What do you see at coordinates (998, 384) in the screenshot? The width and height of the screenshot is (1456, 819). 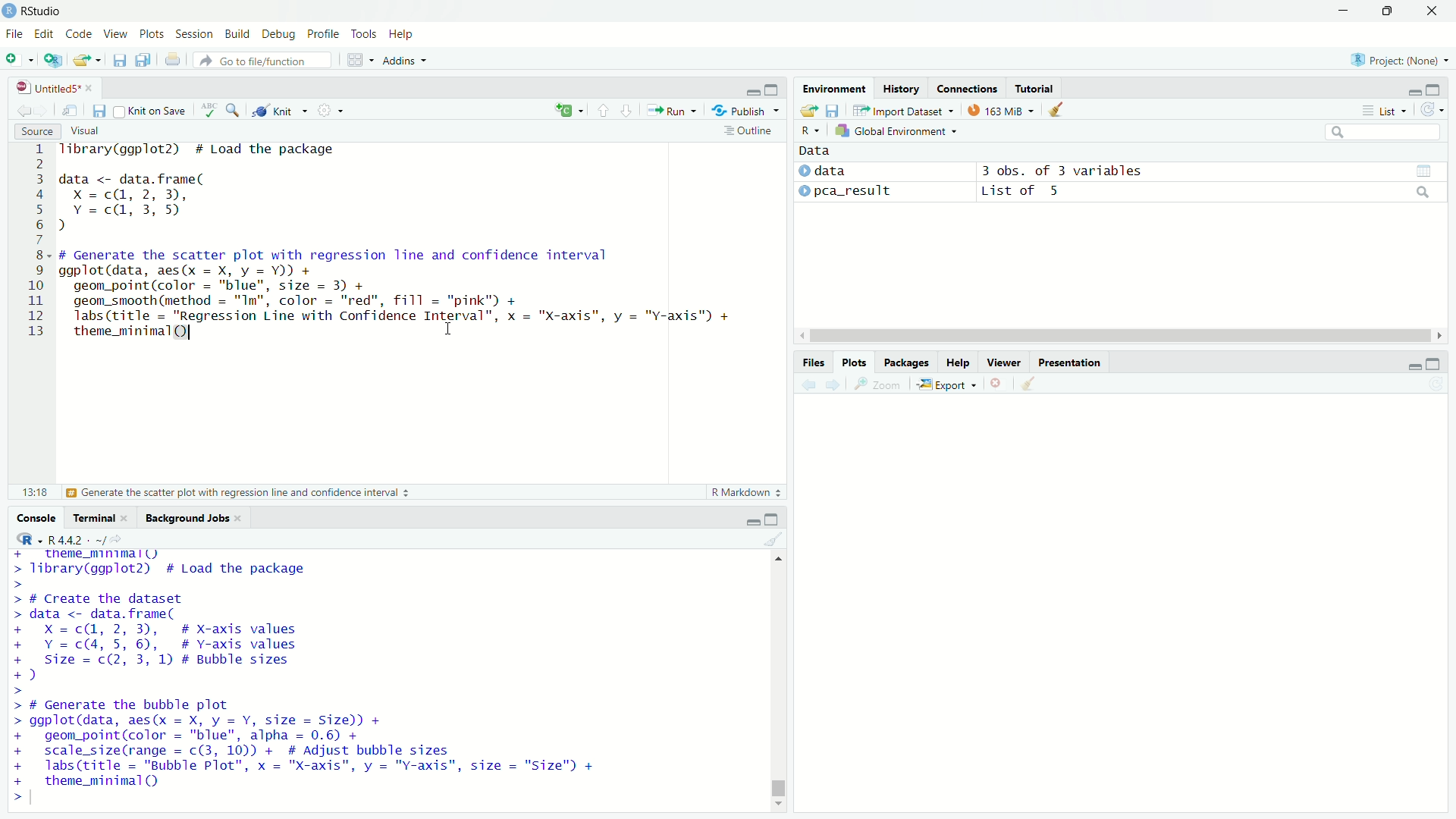 I see `Remove current plot` at bounding box center [998, 384].